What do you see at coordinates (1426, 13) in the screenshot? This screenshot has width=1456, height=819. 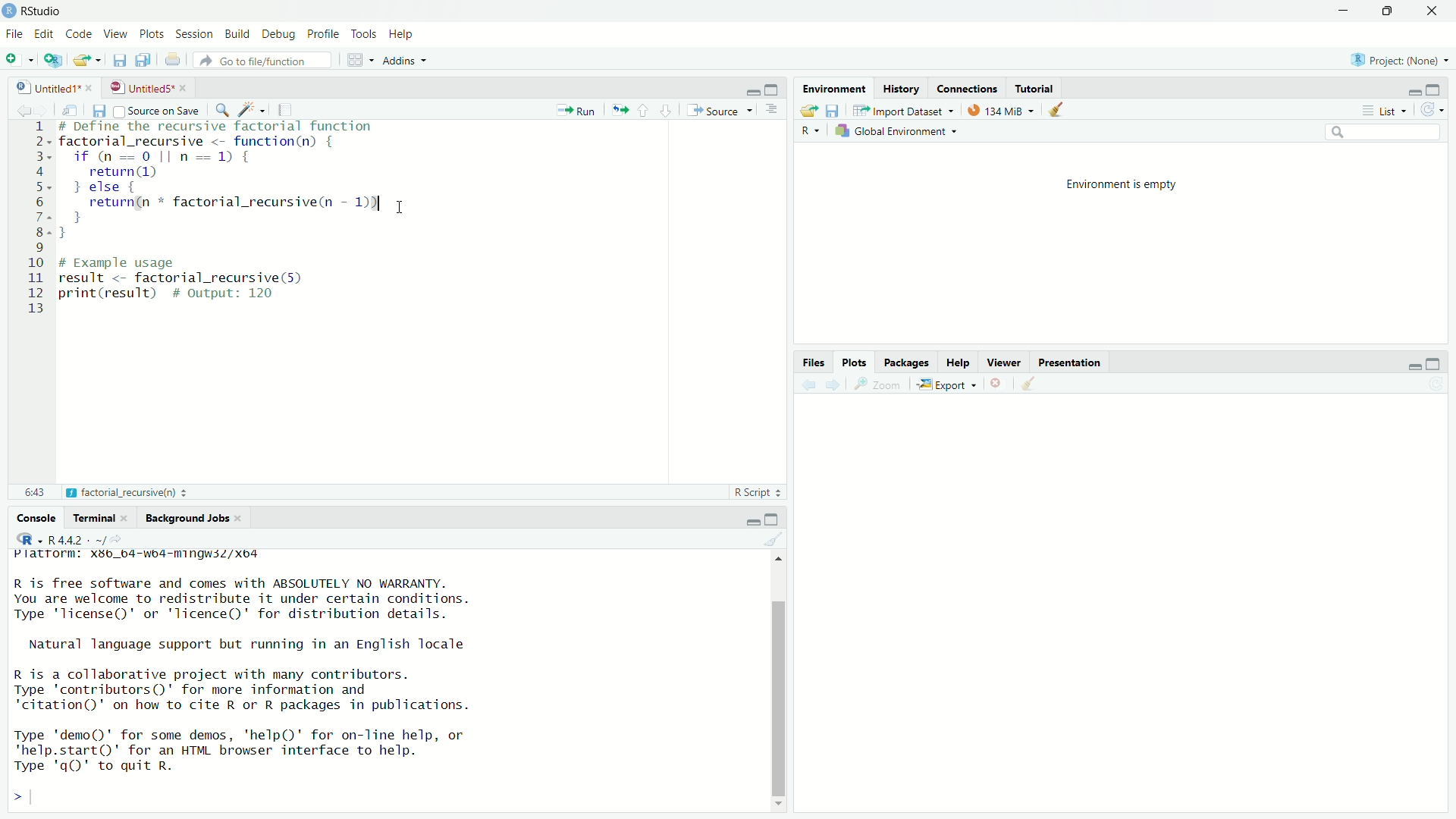 I see `Close` at bounding box center [1426, 13].